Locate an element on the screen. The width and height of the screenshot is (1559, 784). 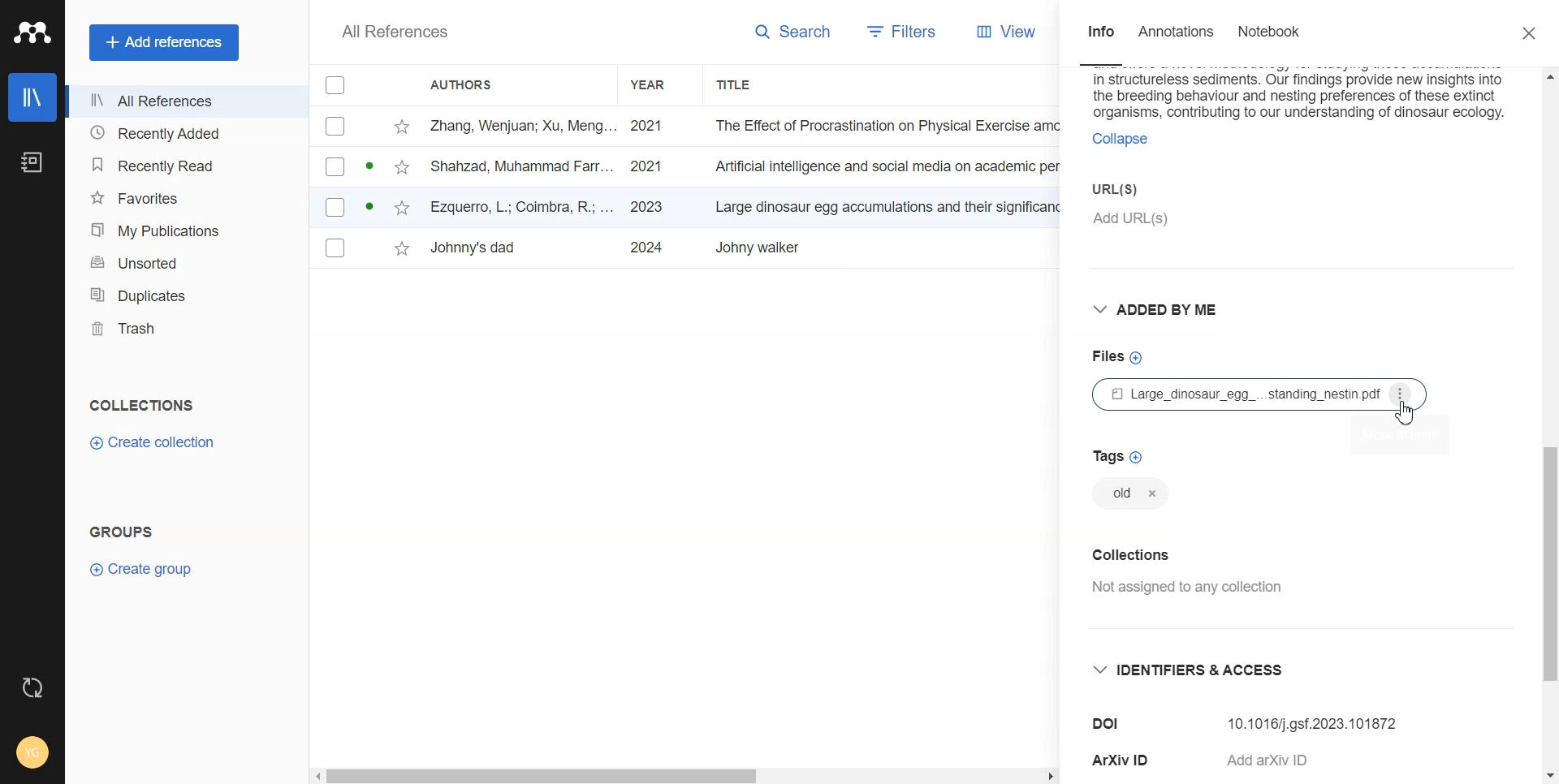
Notebook is located at coordinates (1269, 33).